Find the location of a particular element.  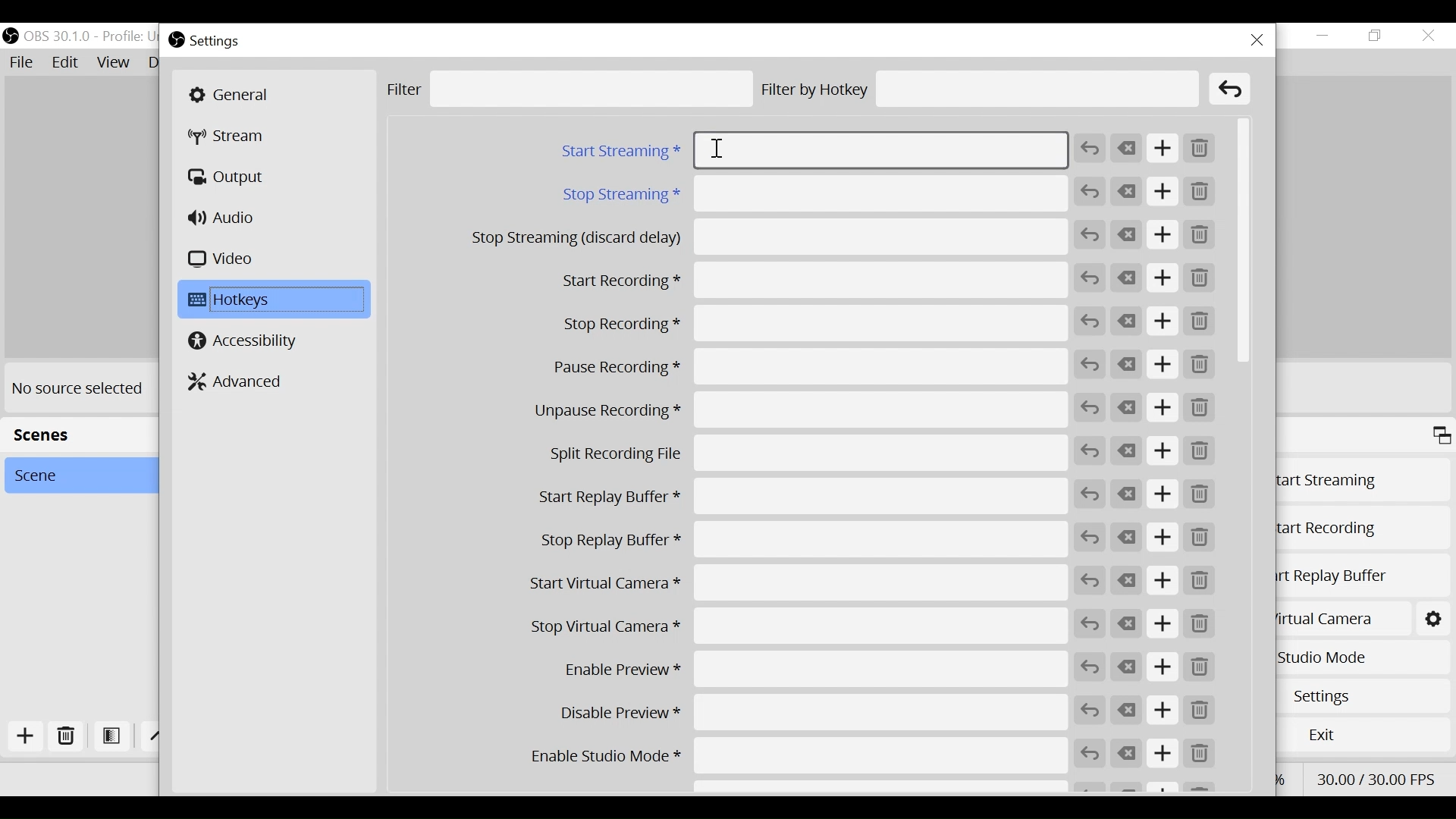

Open Filter Scene is located at coordinates (112, 736).